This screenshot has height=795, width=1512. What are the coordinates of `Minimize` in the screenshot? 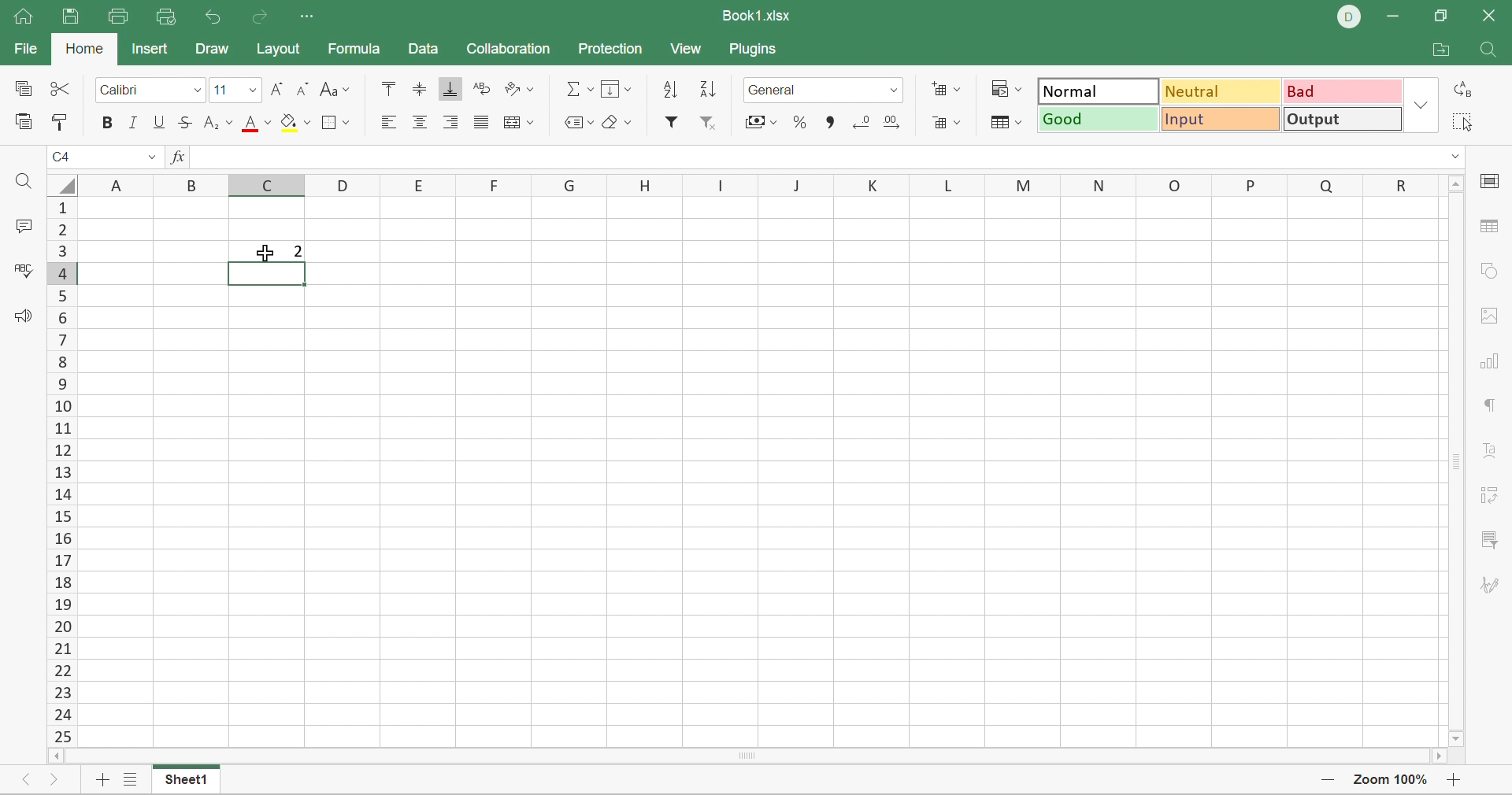 It's located at (1393, 15).